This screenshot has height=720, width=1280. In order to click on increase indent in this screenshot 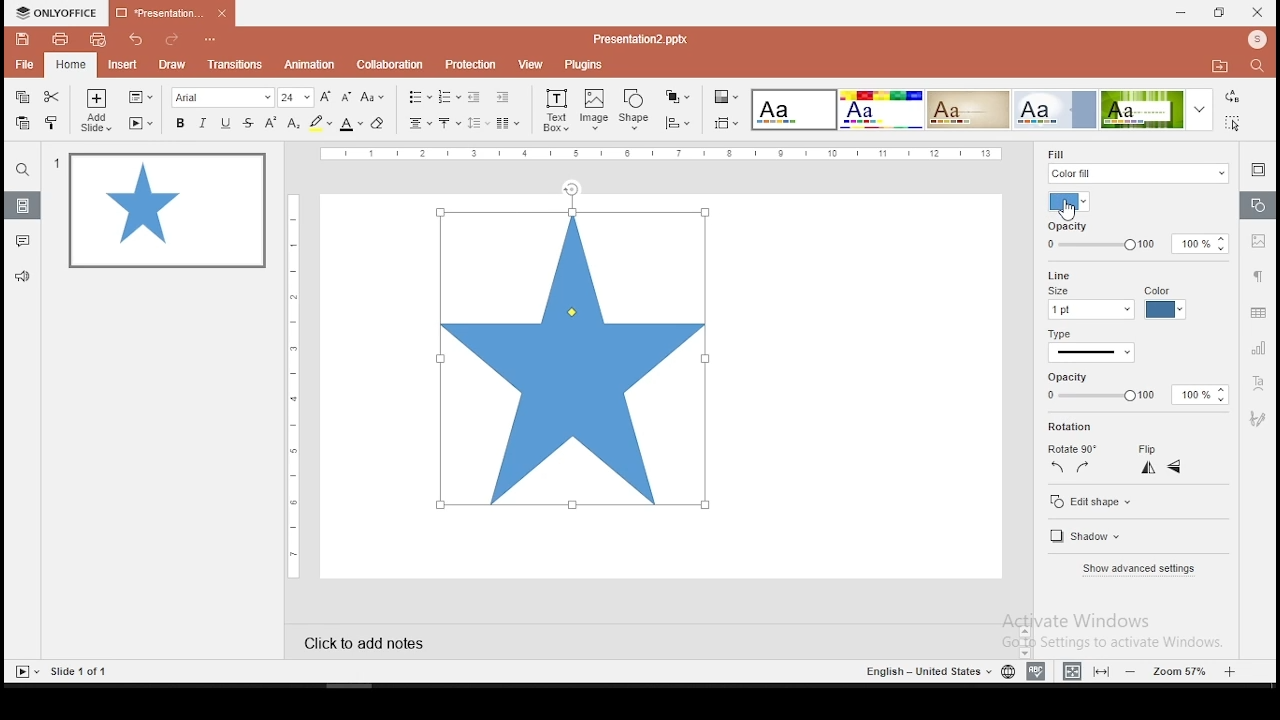, I will do `click(503, 96)`.